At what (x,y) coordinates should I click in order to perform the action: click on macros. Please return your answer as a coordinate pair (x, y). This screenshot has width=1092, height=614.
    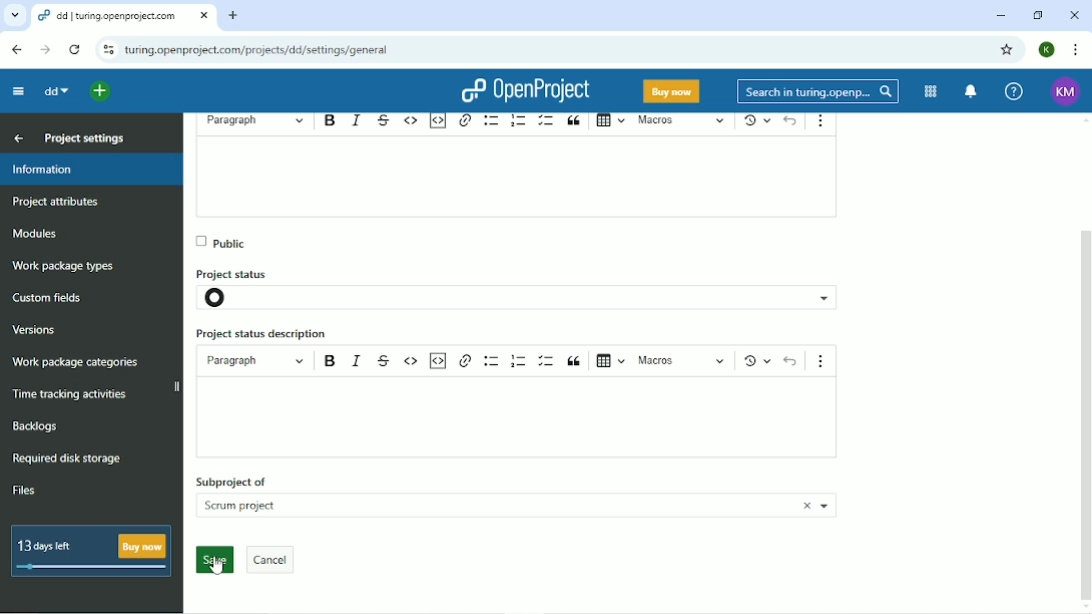
    Looking at the image, I should click on (682, 360).